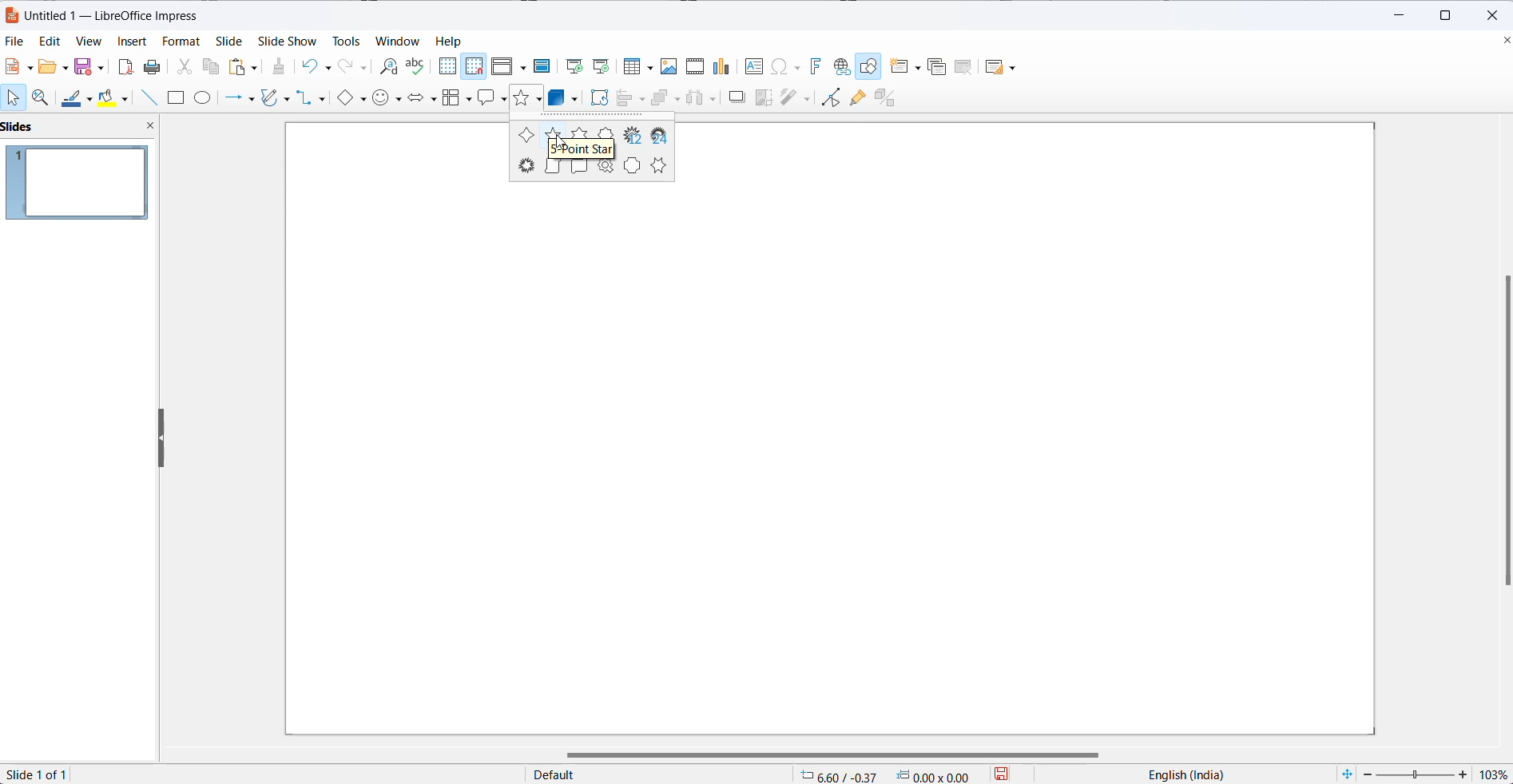 This screenshot has width=1513, height=784. Describe the element at coordinates (212, 69) in the screenshot. I see `copy` at that location.